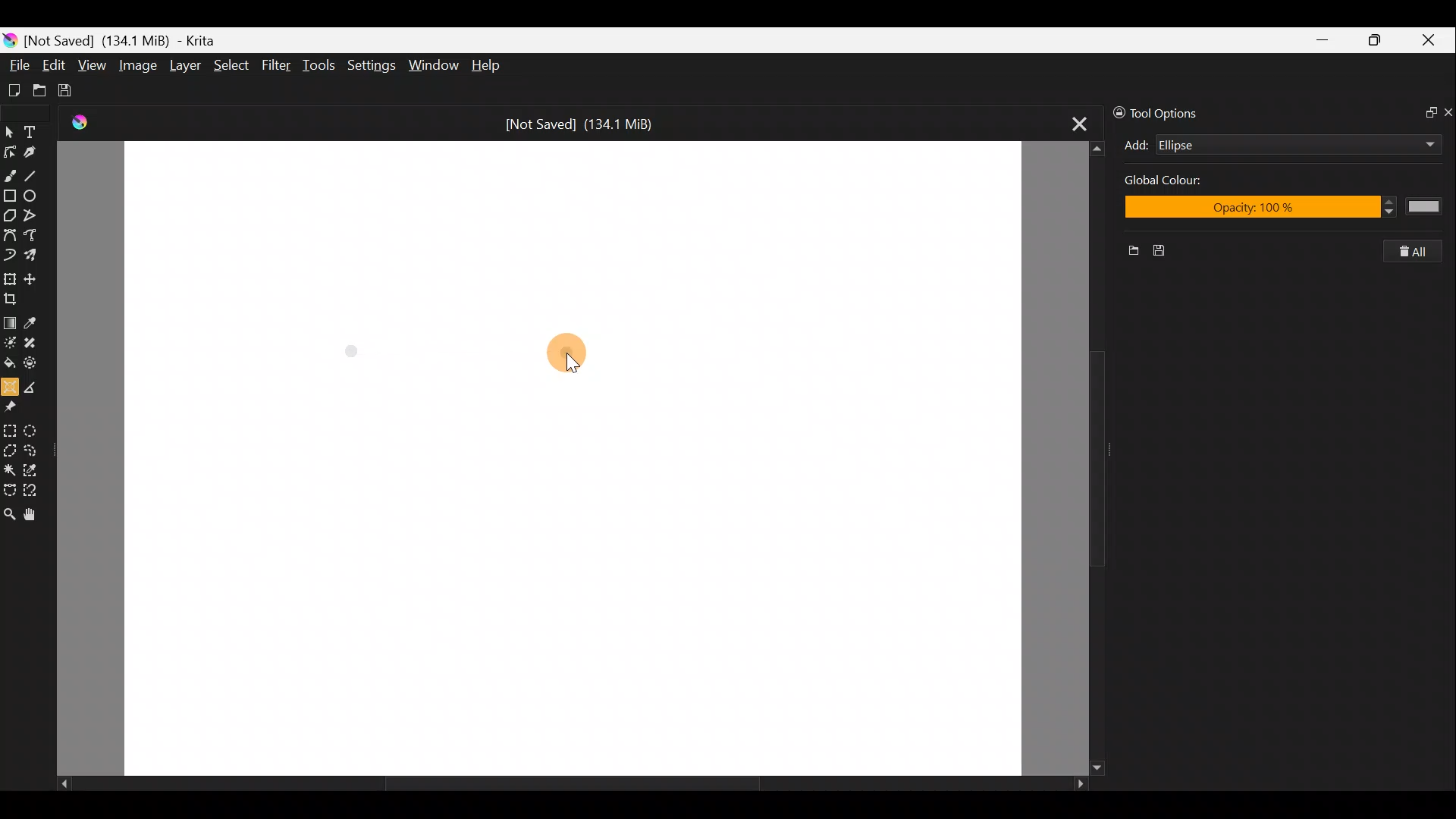 The width and height of the screenshot is (1456, 819). What do you see at coordinates (575, 356) in the screenshot?
I see `Cursor on canvas` at bounding box center [575, 356].